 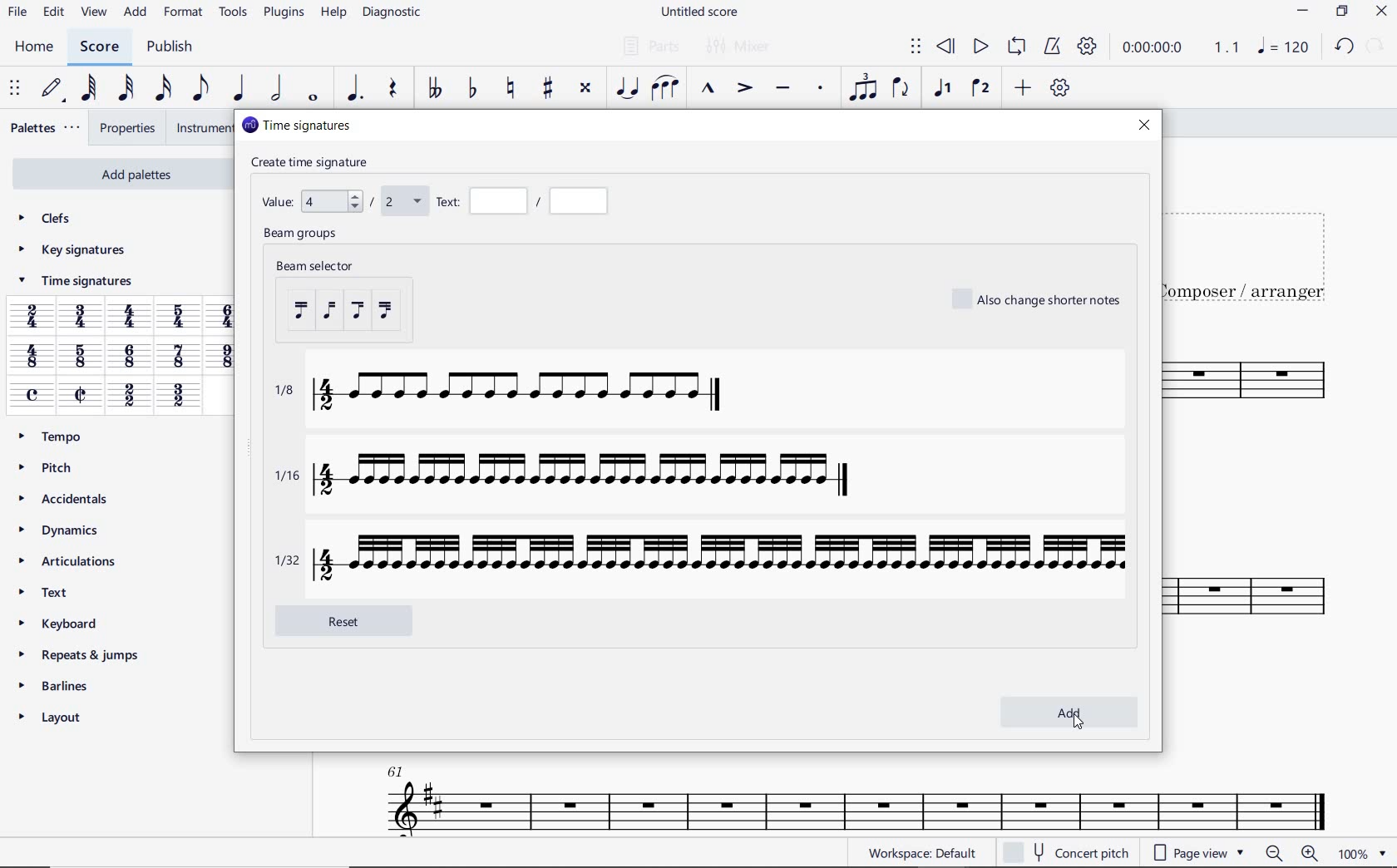 What do you see at coordinates (945, 91) in the screenshot?
I see `VOICE 1` at bounding box center [945, 91].